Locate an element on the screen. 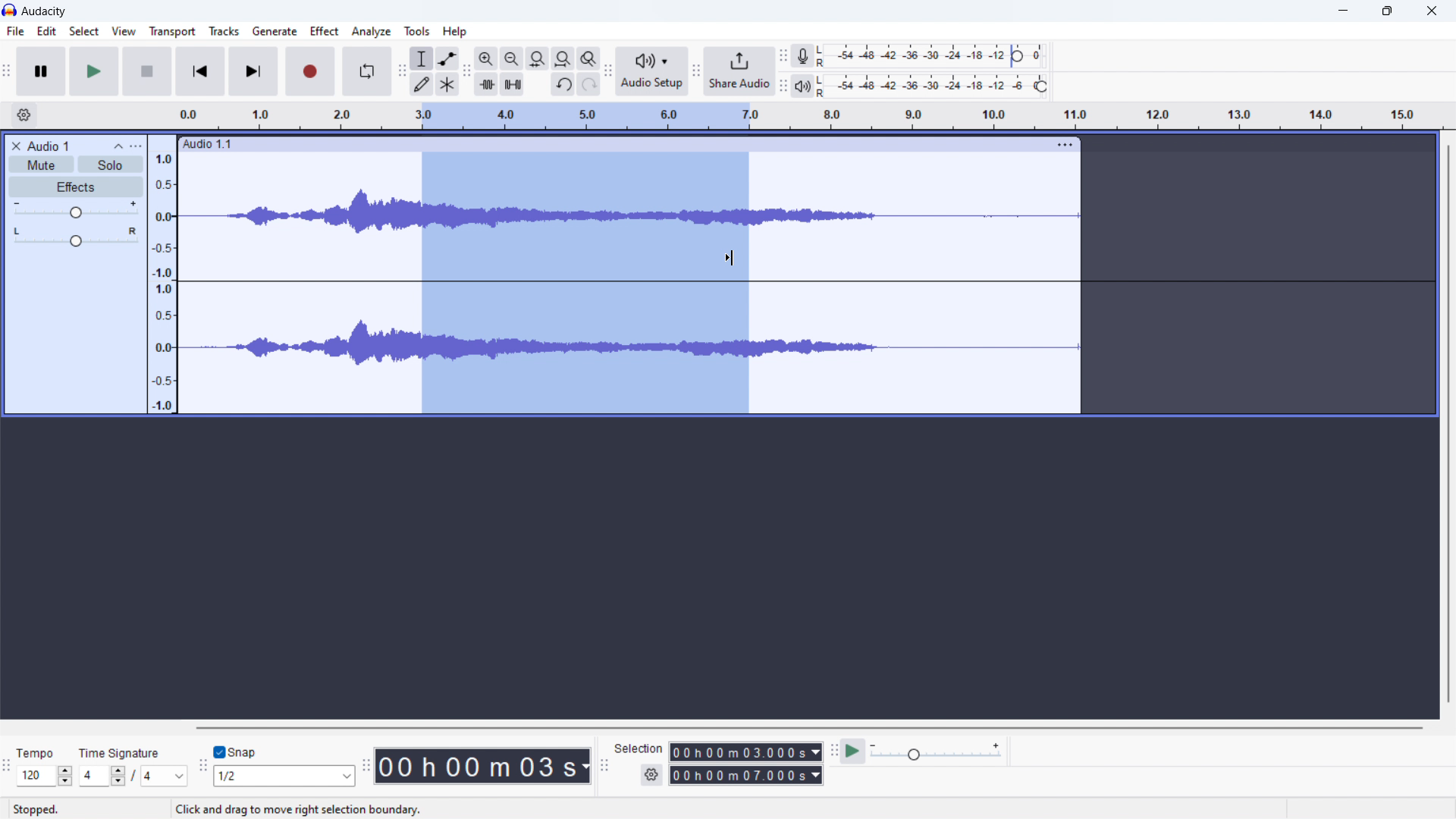 The width and height of the screenshot is (1456, 819). mute selection is located at coordinates (512, 83).